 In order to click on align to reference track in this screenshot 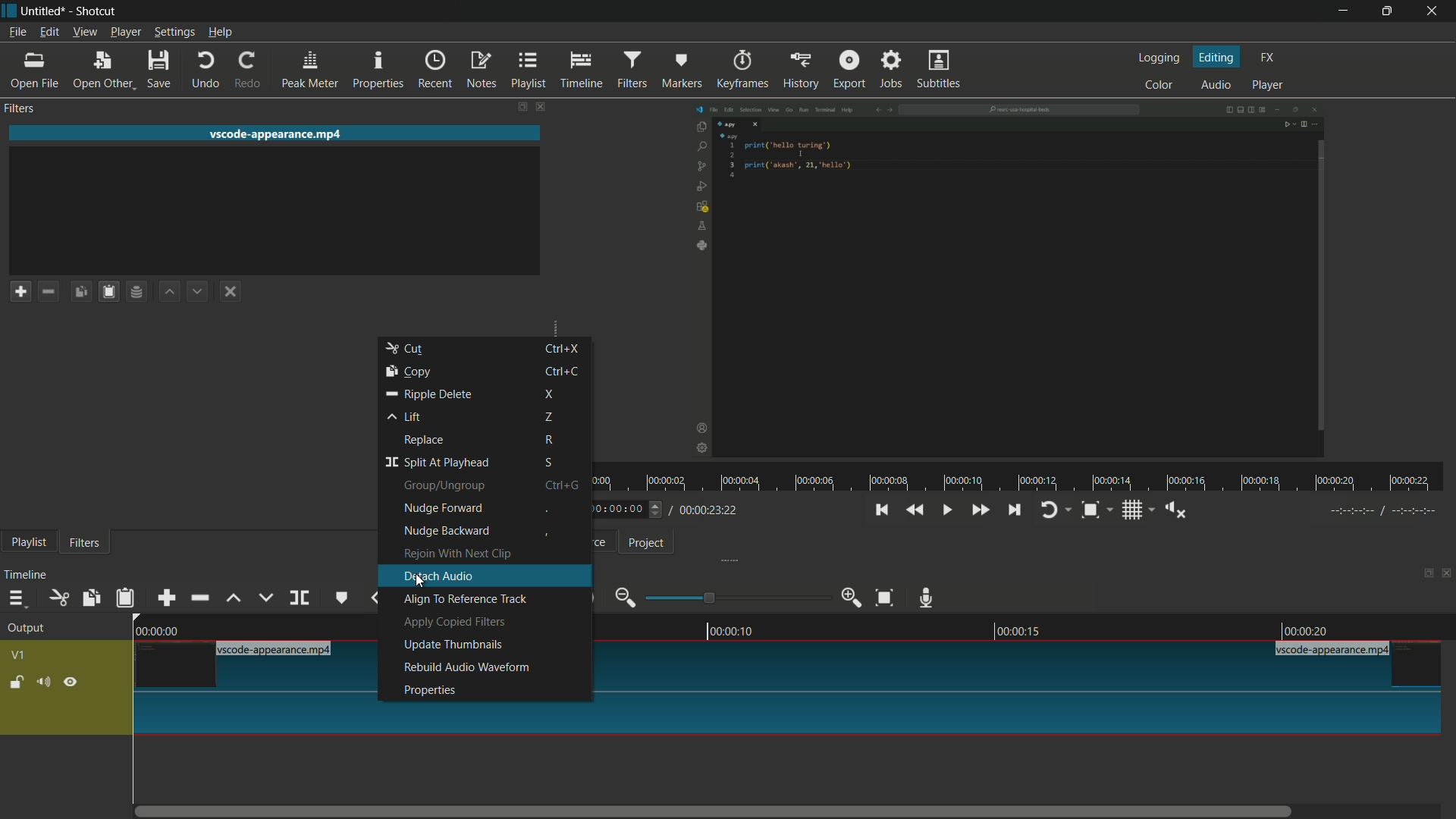, I will do `click(463, 598)`.